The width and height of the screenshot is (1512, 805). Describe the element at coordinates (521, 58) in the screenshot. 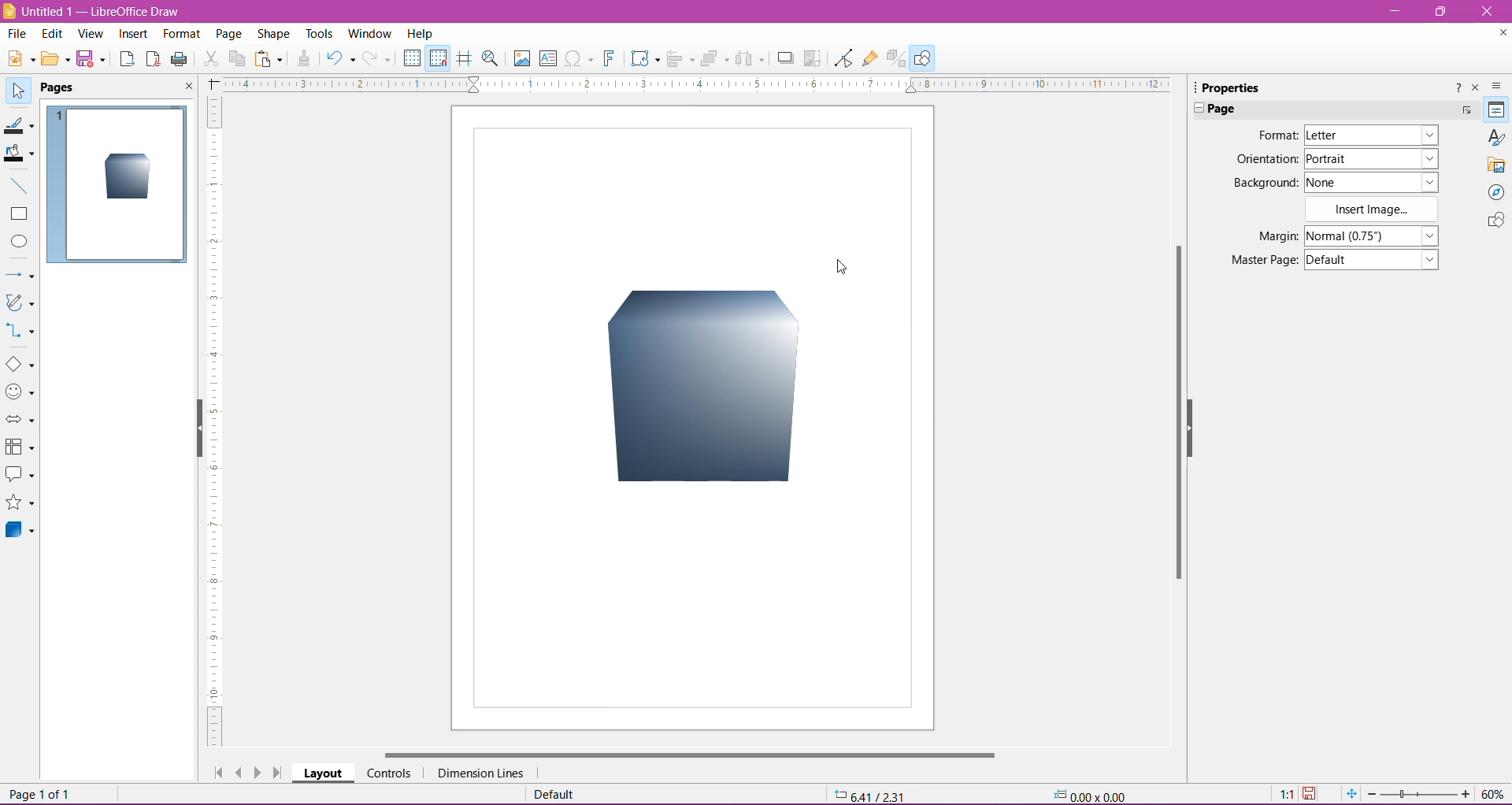

I see `Insert Image` at that location.